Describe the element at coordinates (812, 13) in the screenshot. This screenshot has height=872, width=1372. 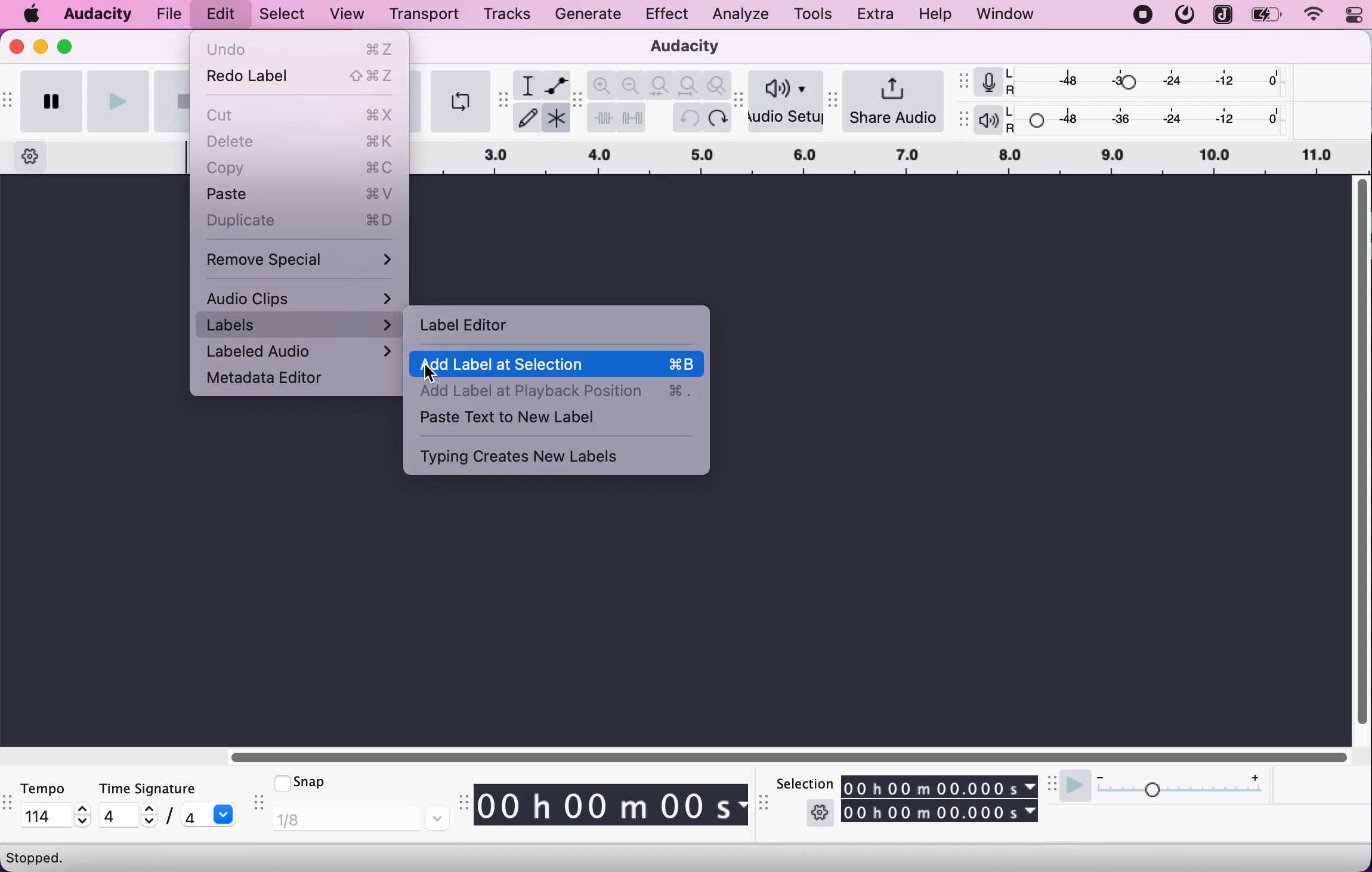
I see `tools` at that location.